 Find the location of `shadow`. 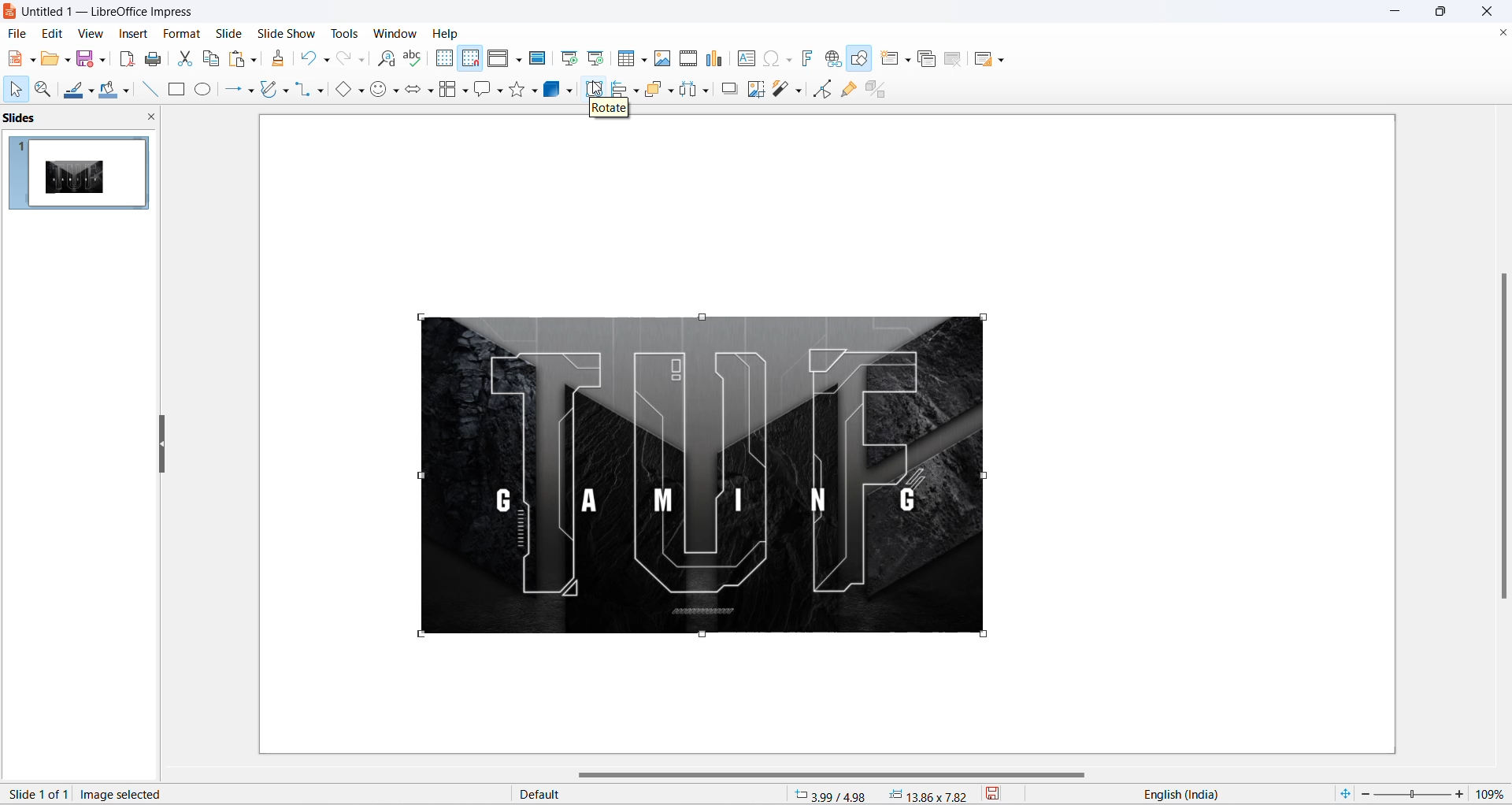

shadow is located at coordinates (730, 88).